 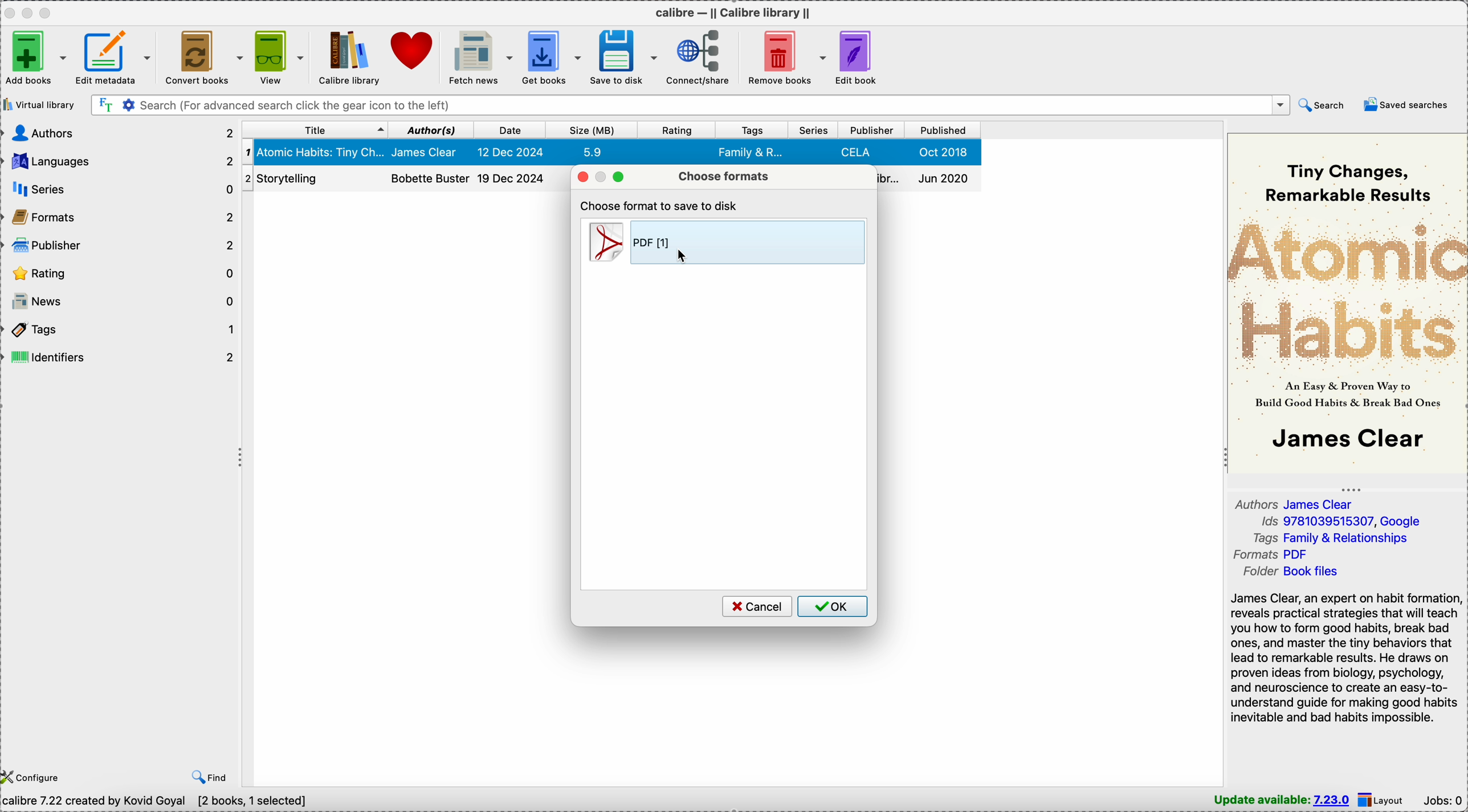 I want to click on Jobs: 0, so click(x=1442, y=799).